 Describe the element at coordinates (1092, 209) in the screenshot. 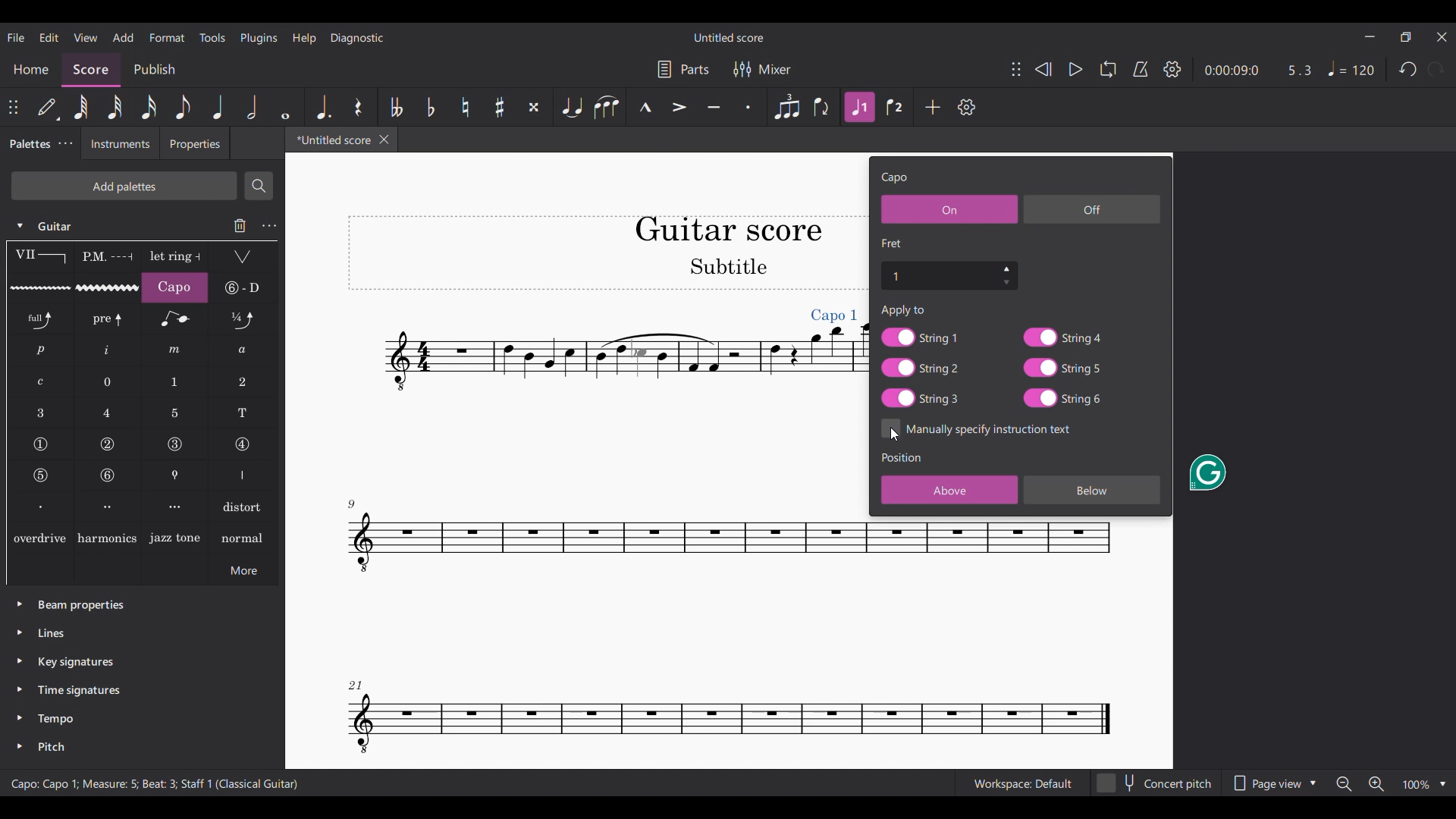

I see `Off` at that location.